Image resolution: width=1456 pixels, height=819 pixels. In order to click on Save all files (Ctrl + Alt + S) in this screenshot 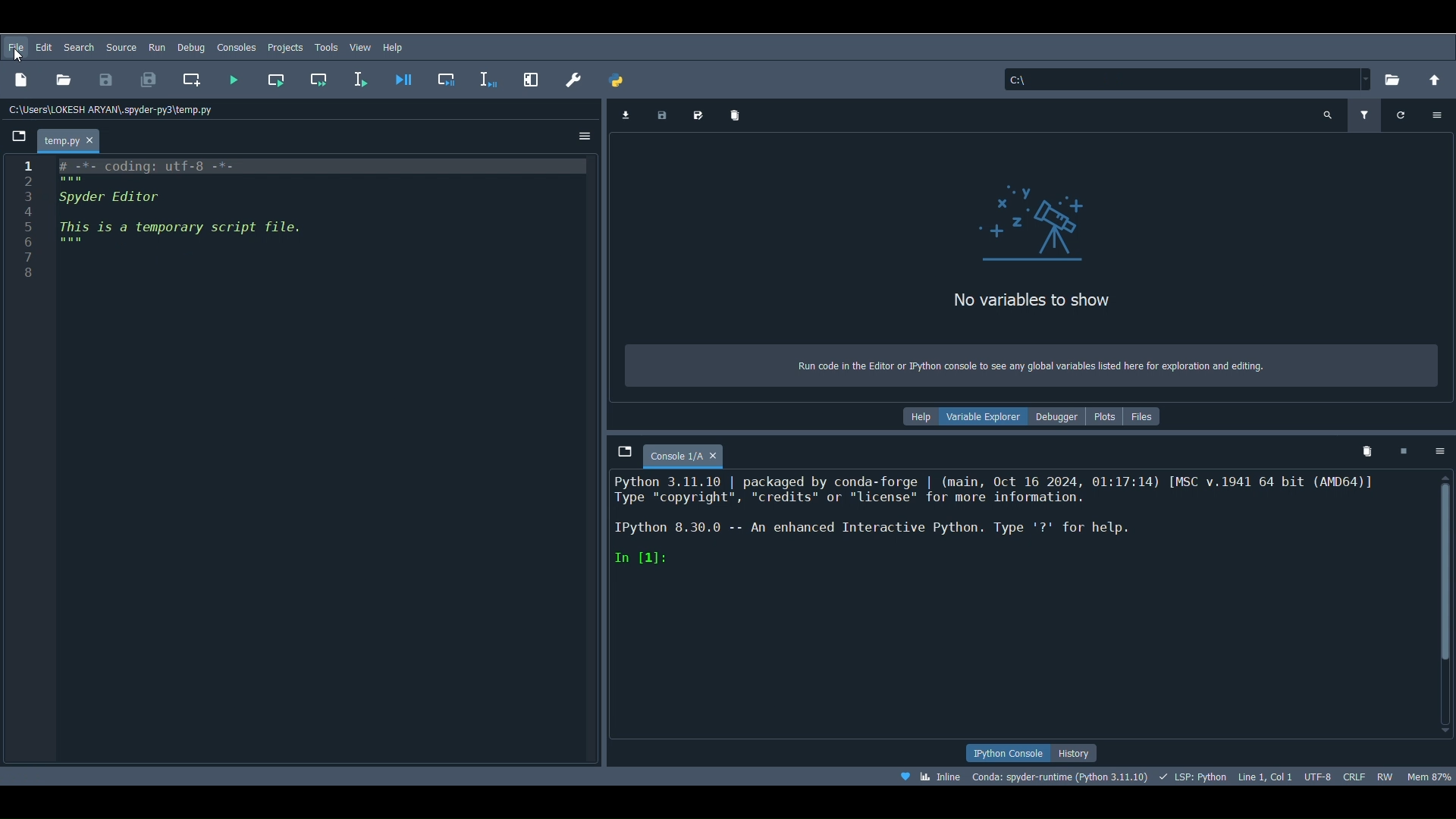, I will do `click(149, 79)`.